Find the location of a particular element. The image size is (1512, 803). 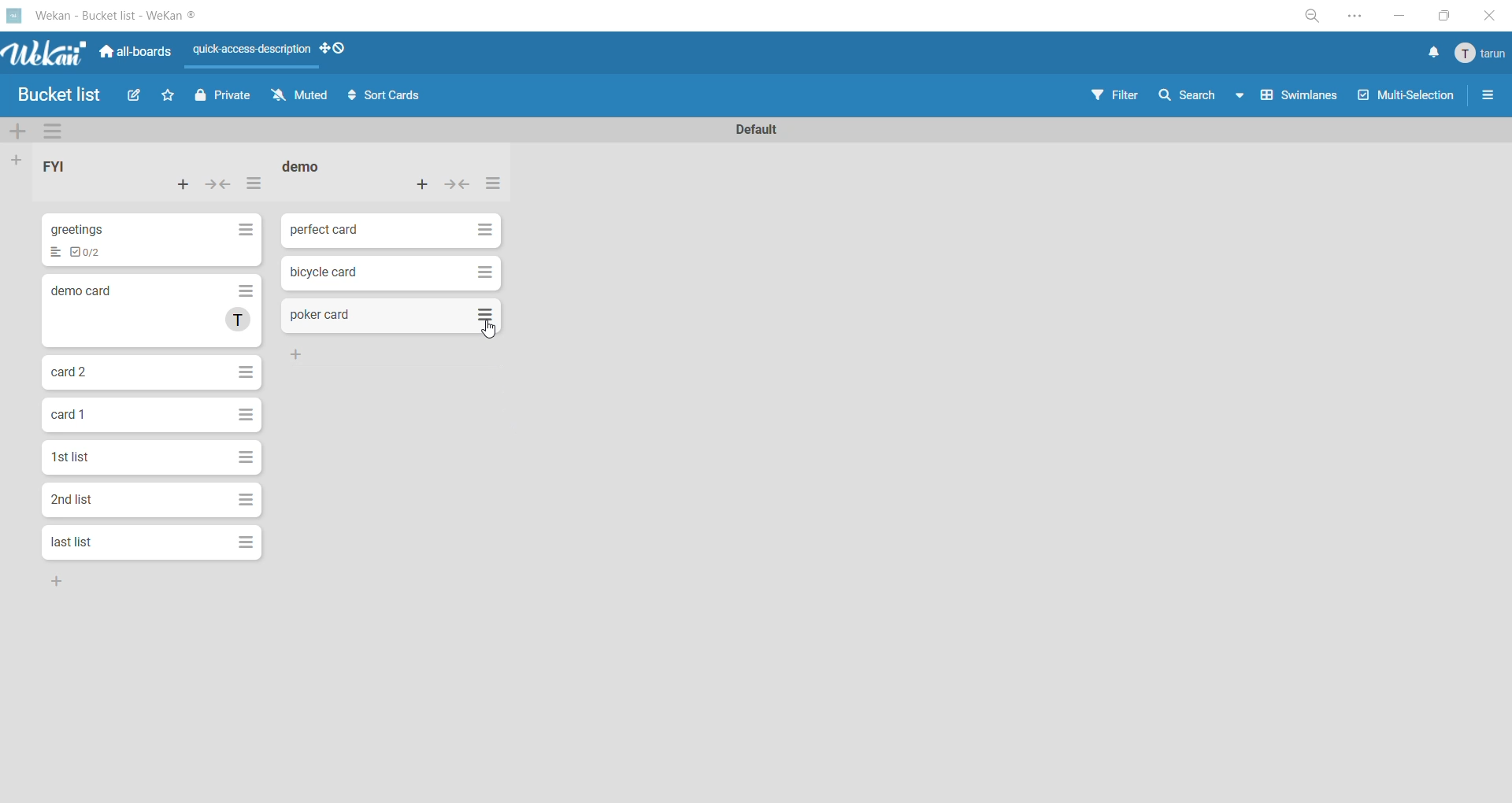

Check list is located at coordinates (56, 253).